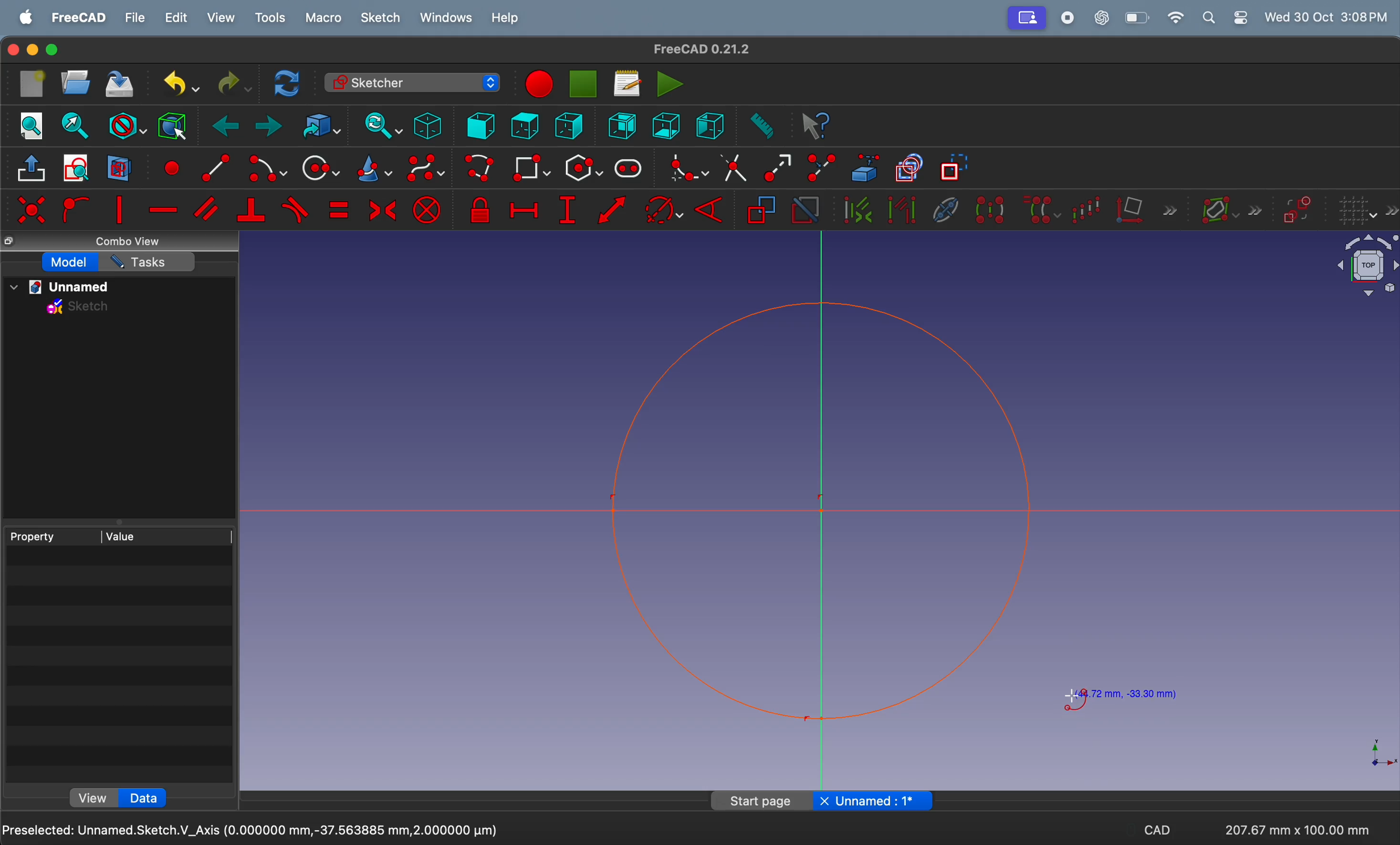 The image size is (1400, 845). I want to click on reference constarint, so click(761, 211).